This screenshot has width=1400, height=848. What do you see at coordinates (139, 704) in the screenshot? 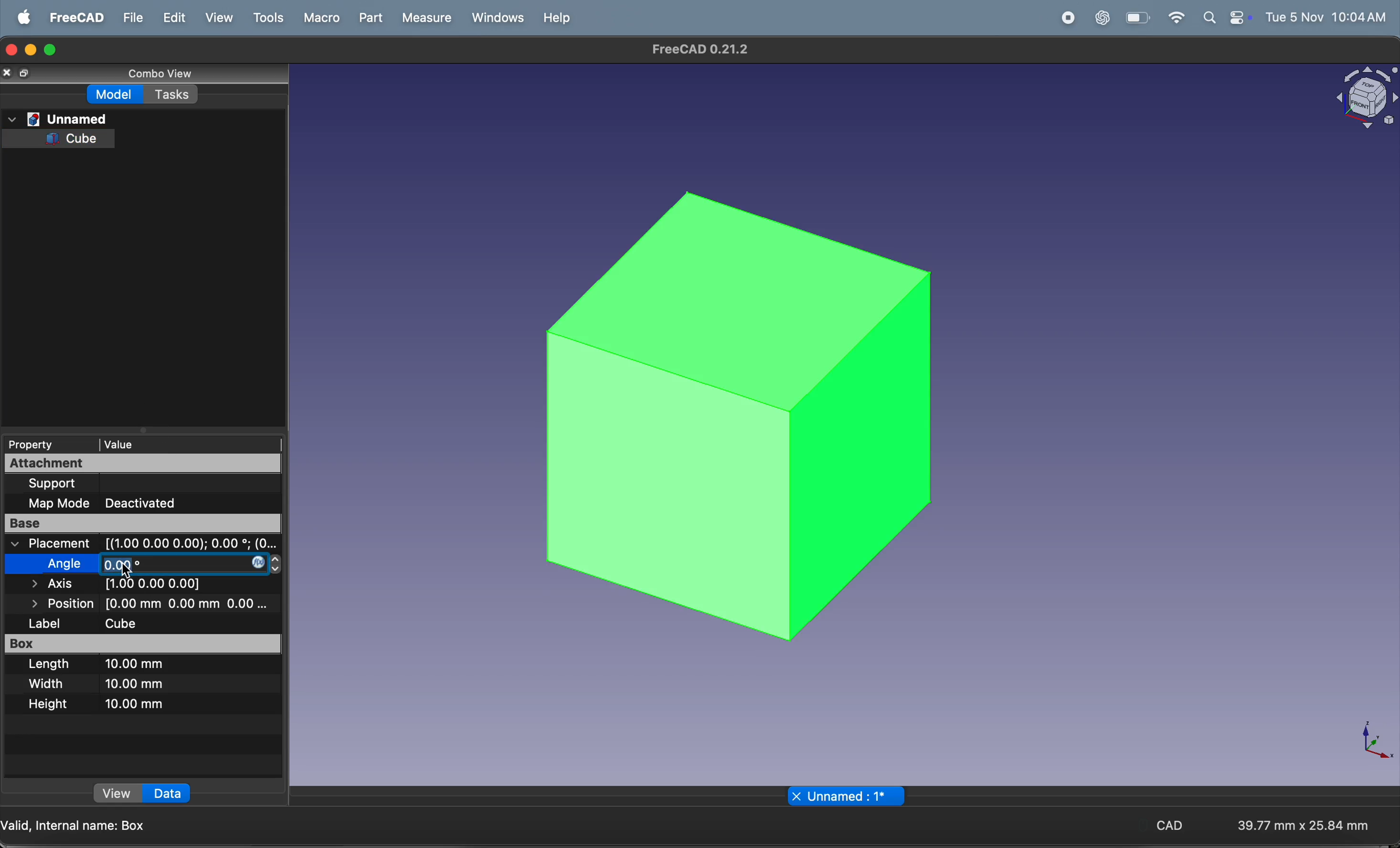
I see `10mm` at bounding box center [139, 704].